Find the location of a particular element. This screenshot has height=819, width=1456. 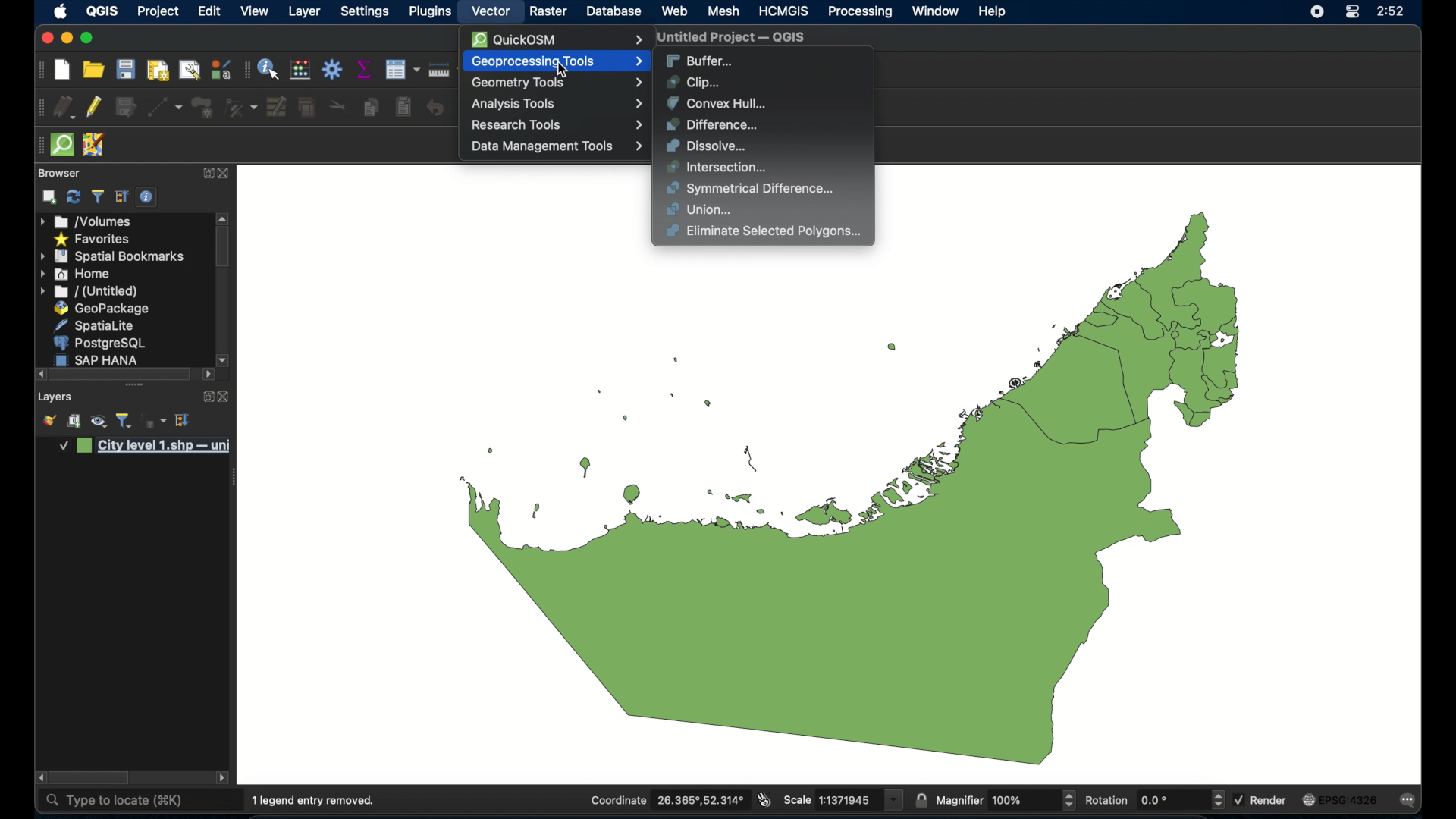

refresh is located at coordinates (73, 197).